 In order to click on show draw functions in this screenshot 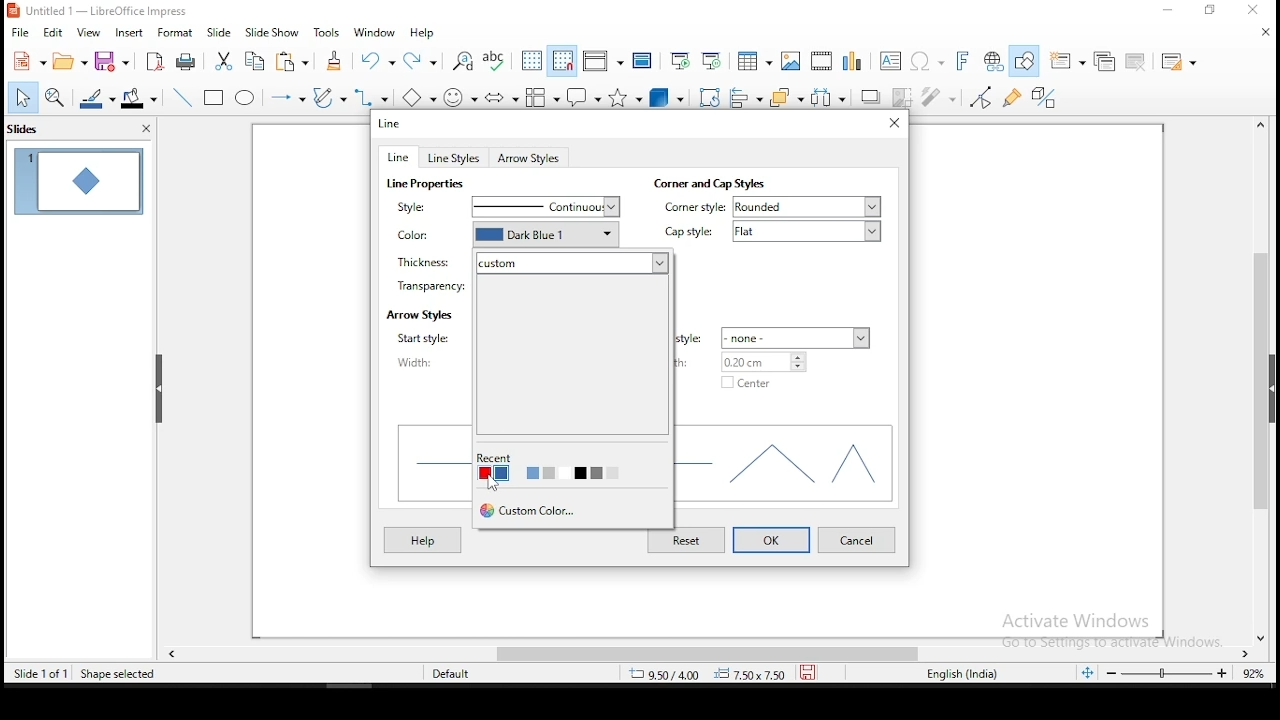, I will do `click(1026, 60)`.